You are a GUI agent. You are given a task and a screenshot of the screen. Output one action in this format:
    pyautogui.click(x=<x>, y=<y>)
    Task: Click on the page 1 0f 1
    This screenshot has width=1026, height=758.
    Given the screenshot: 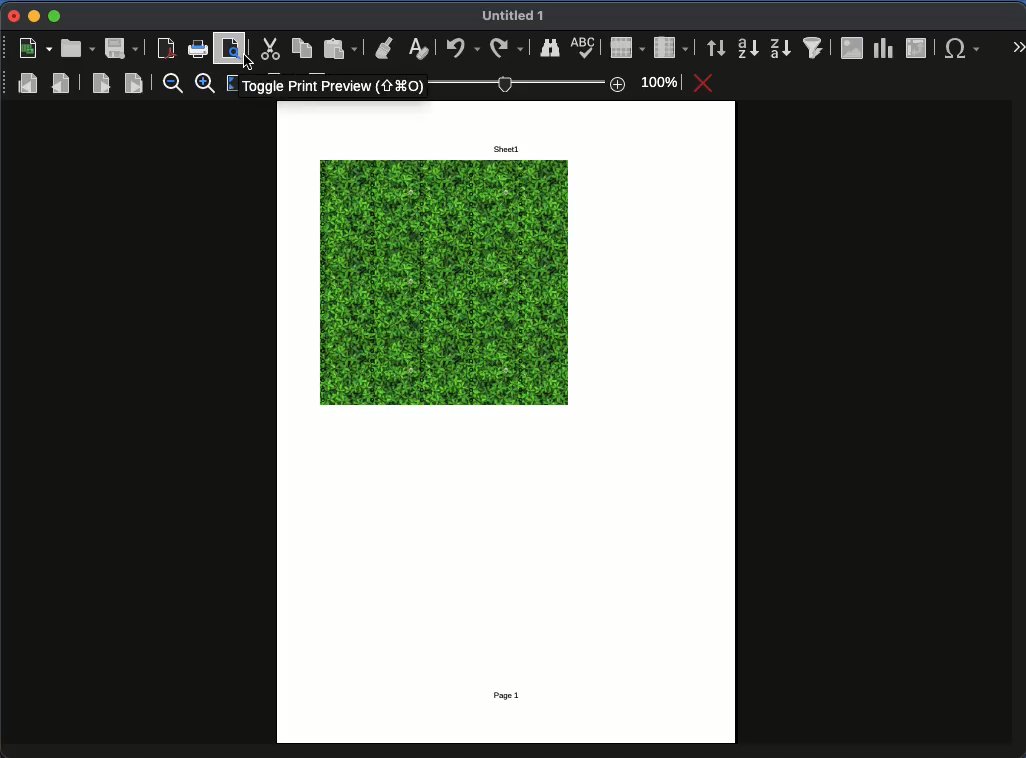 What is the action you would take?
    pyautogui.click(x=514, y=695)
    